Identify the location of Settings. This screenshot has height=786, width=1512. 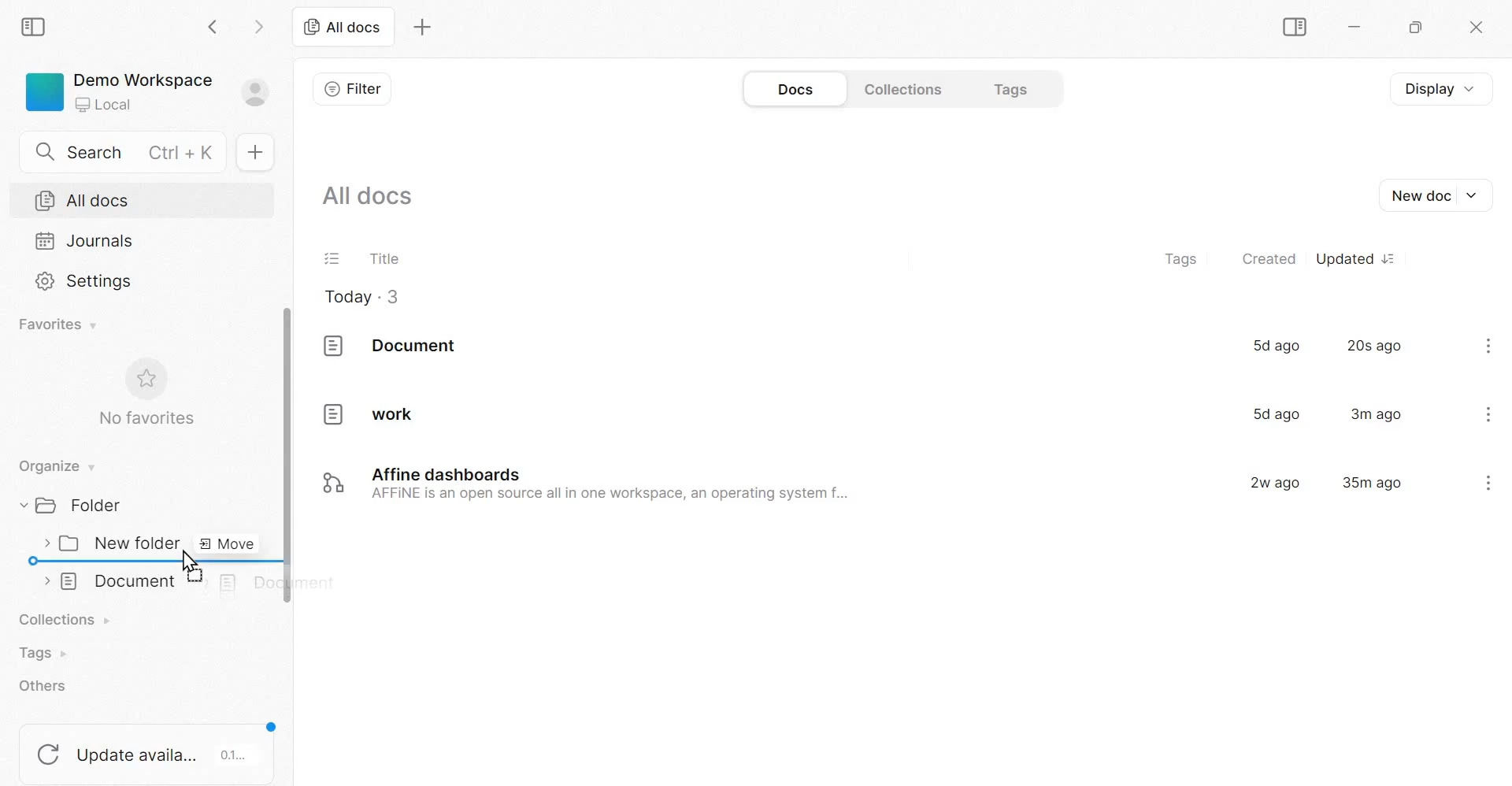
(85, 281).